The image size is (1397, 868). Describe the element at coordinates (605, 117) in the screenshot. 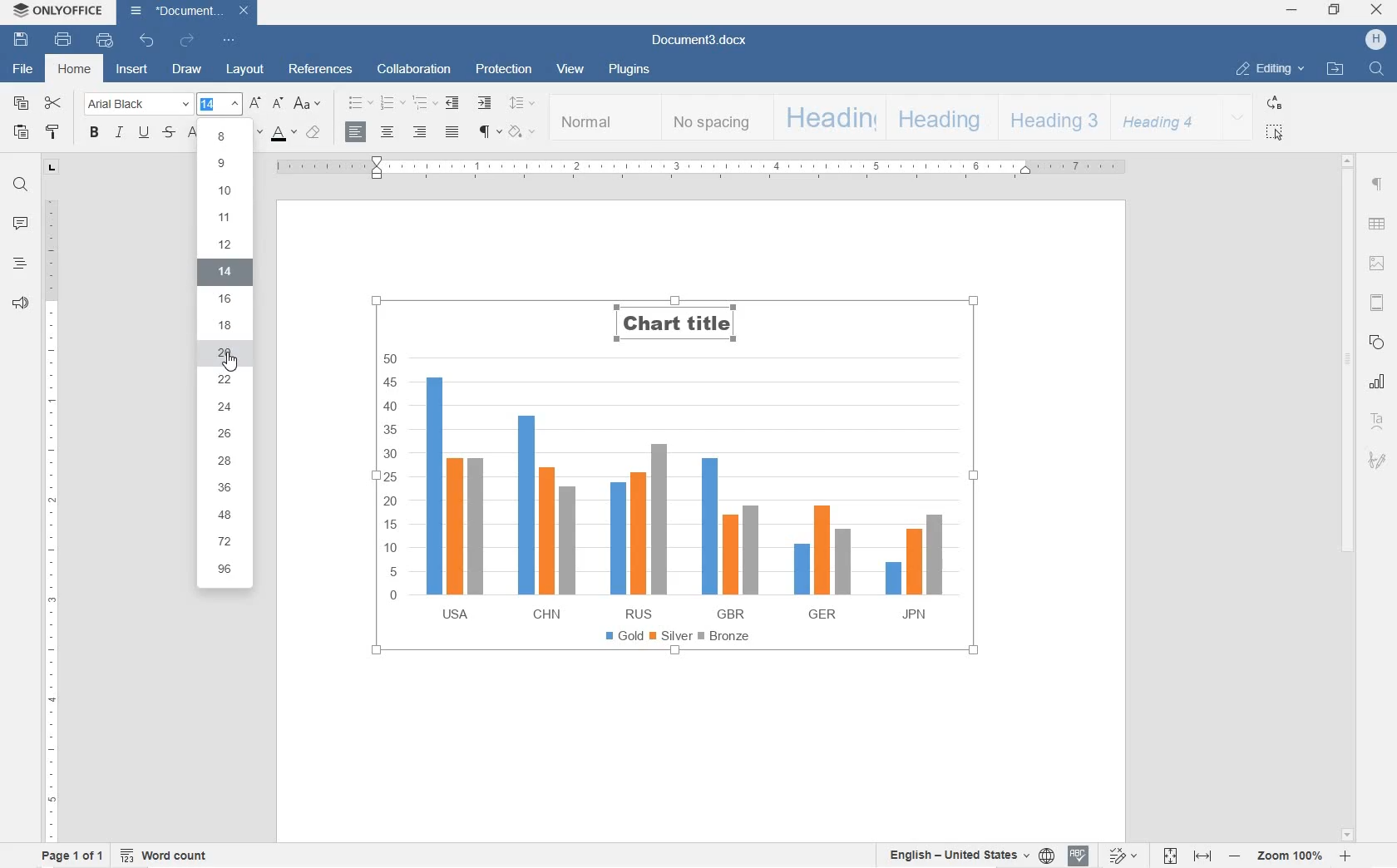

I see `NORMAL` at that location.